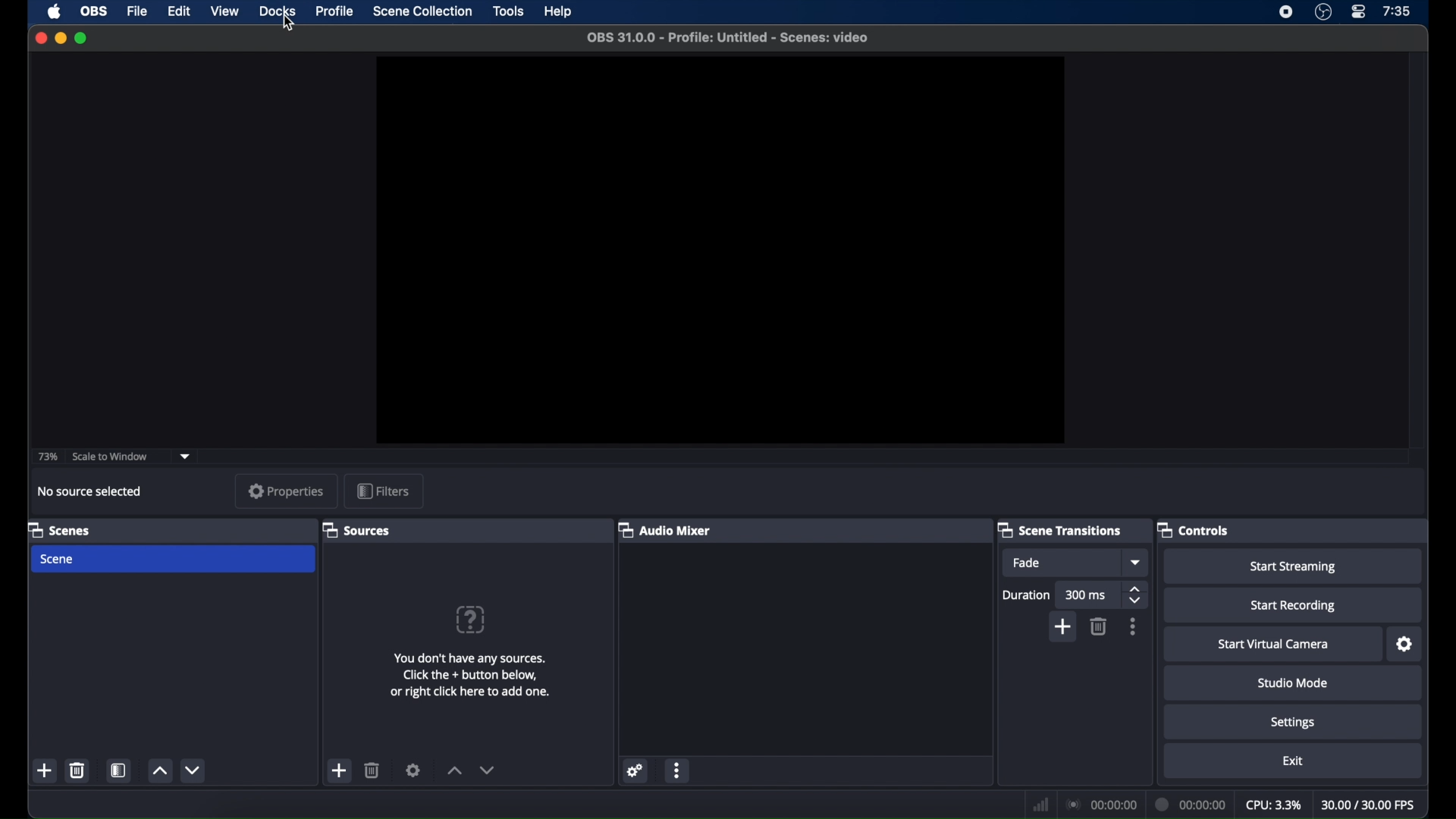  I want to click on scene transitions, so click(1060, 529).